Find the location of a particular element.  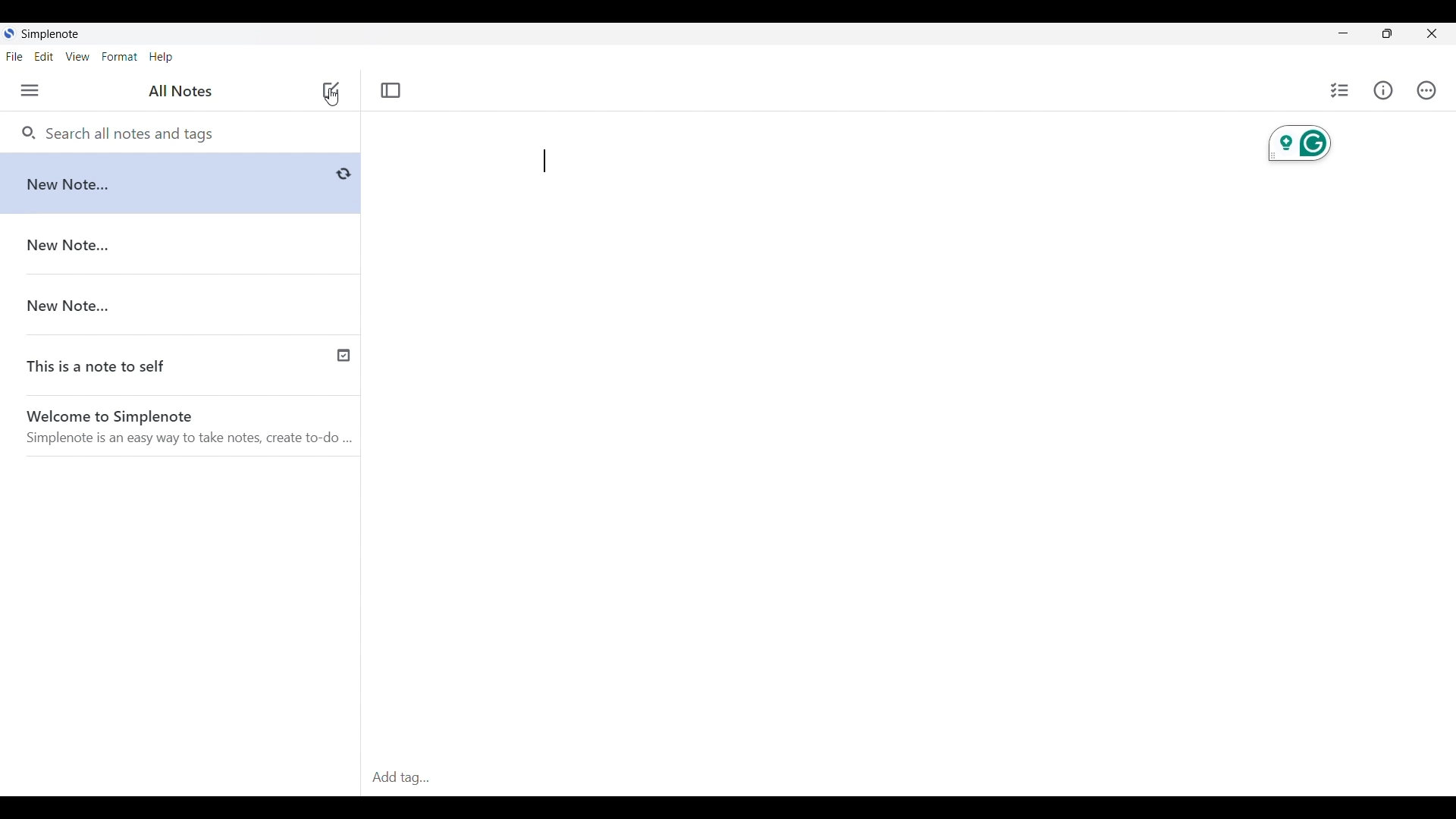

Info is located at coordinates (1384, 90).